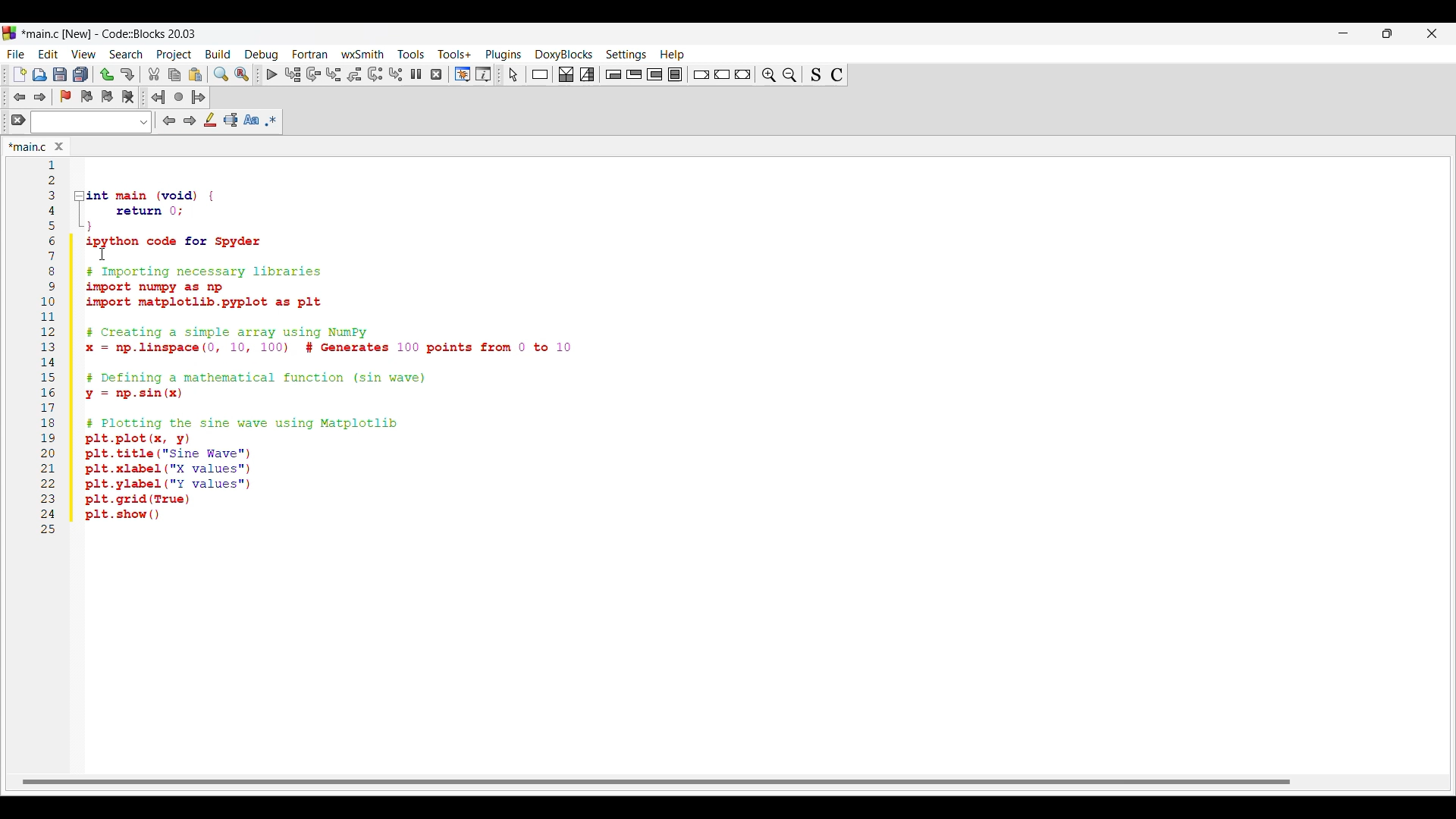 This screenshot has width=1456, height=819. I want to click on Run to cursor, so click(293, 74).